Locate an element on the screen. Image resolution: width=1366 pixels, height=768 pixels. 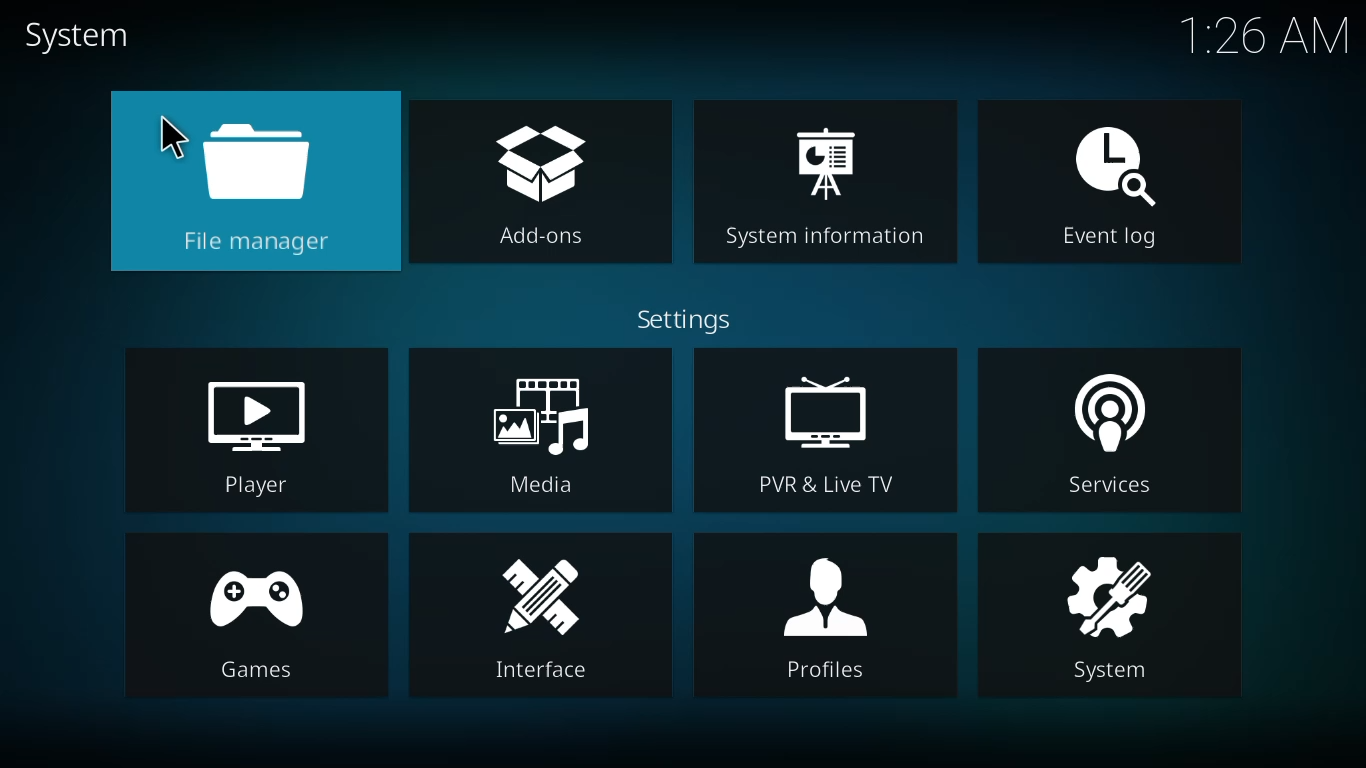
interface is located at coordinates (554, 615).